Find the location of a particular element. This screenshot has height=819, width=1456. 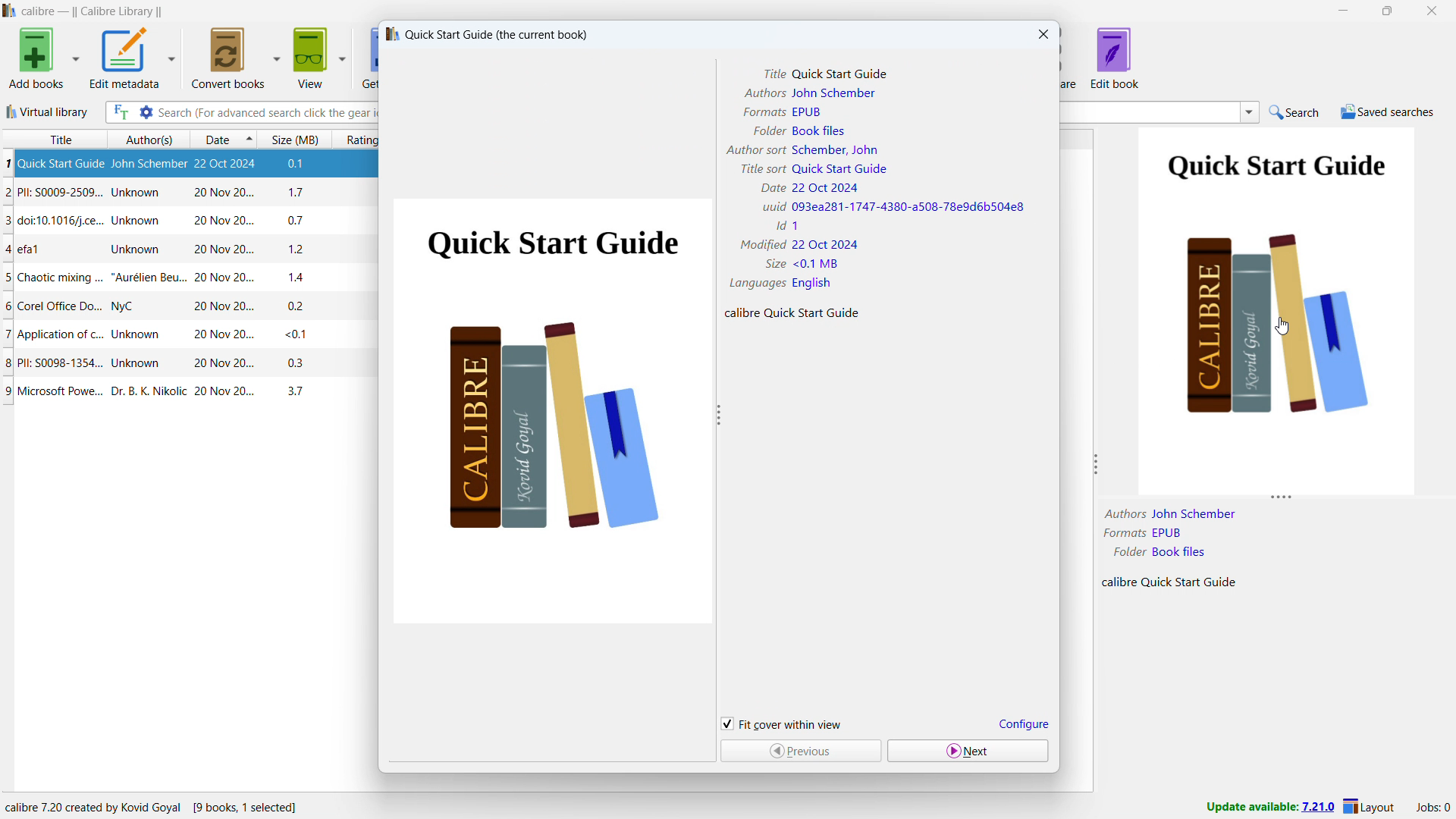

Title sort is located at coordinates (762, 168).